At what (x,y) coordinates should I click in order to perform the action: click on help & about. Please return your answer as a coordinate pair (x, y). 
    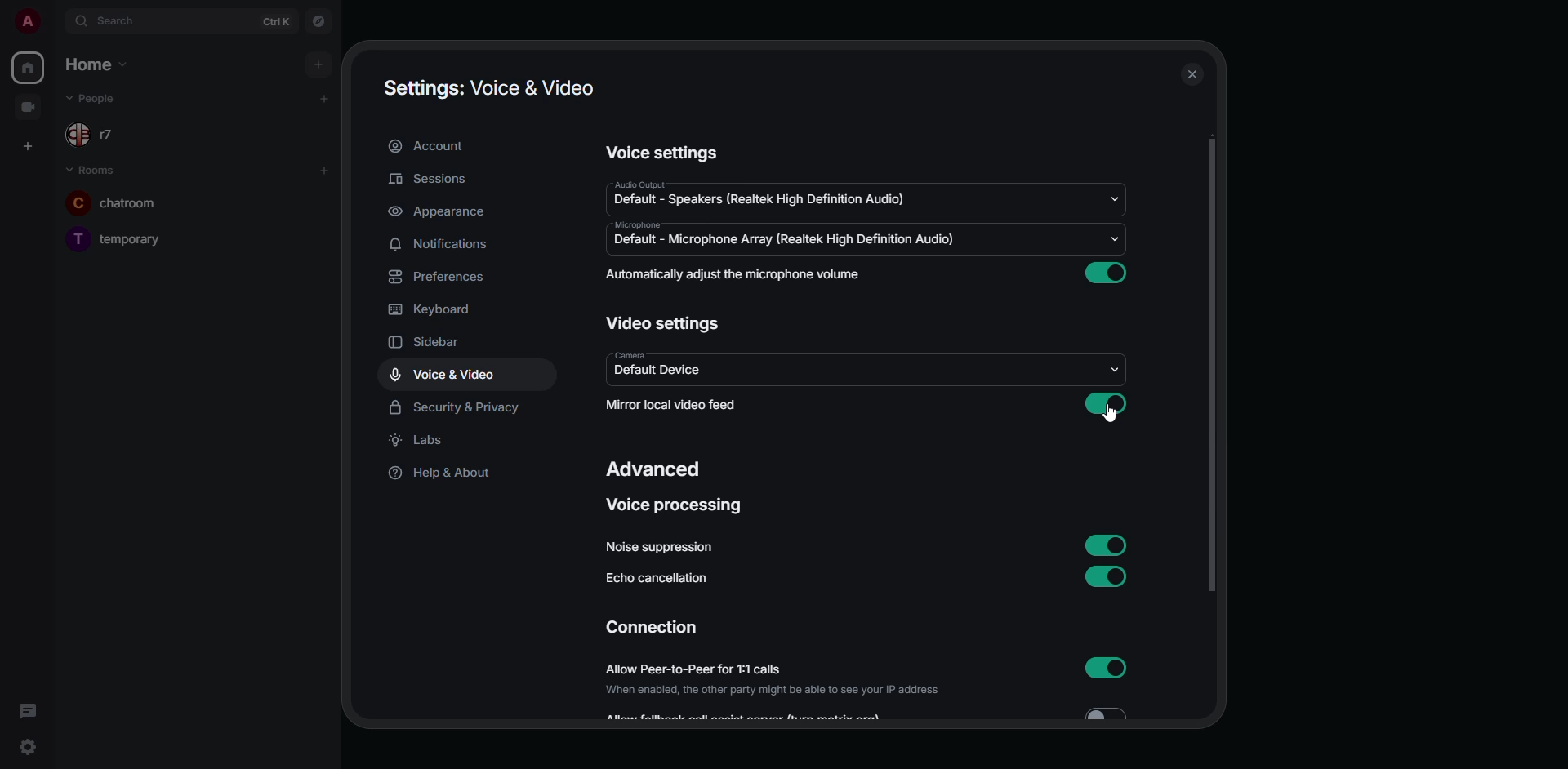
    Looking at the image, I should click on (443, 474).